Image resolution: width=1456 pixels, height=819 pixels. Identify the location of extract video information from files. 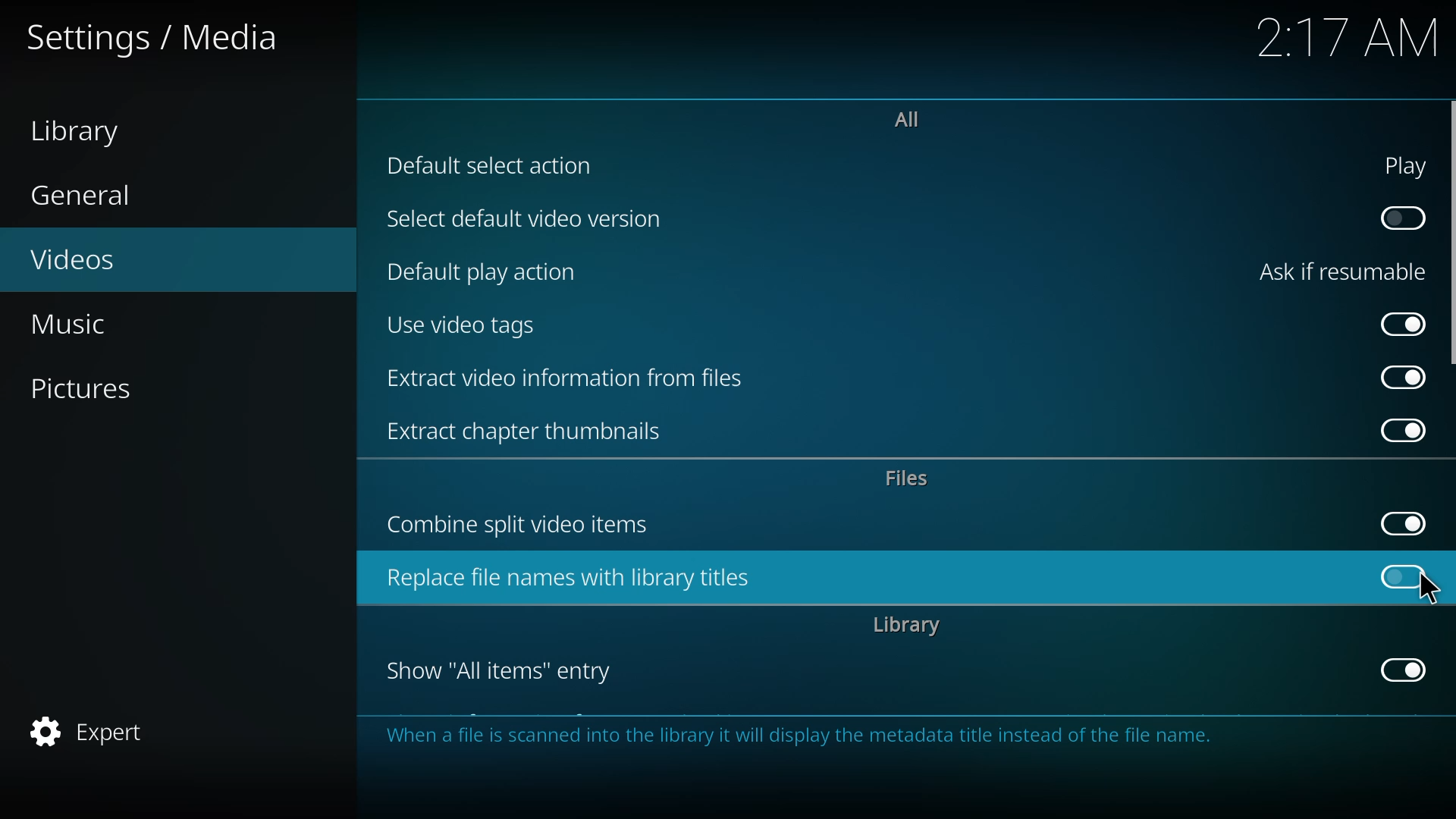
(570, 381).